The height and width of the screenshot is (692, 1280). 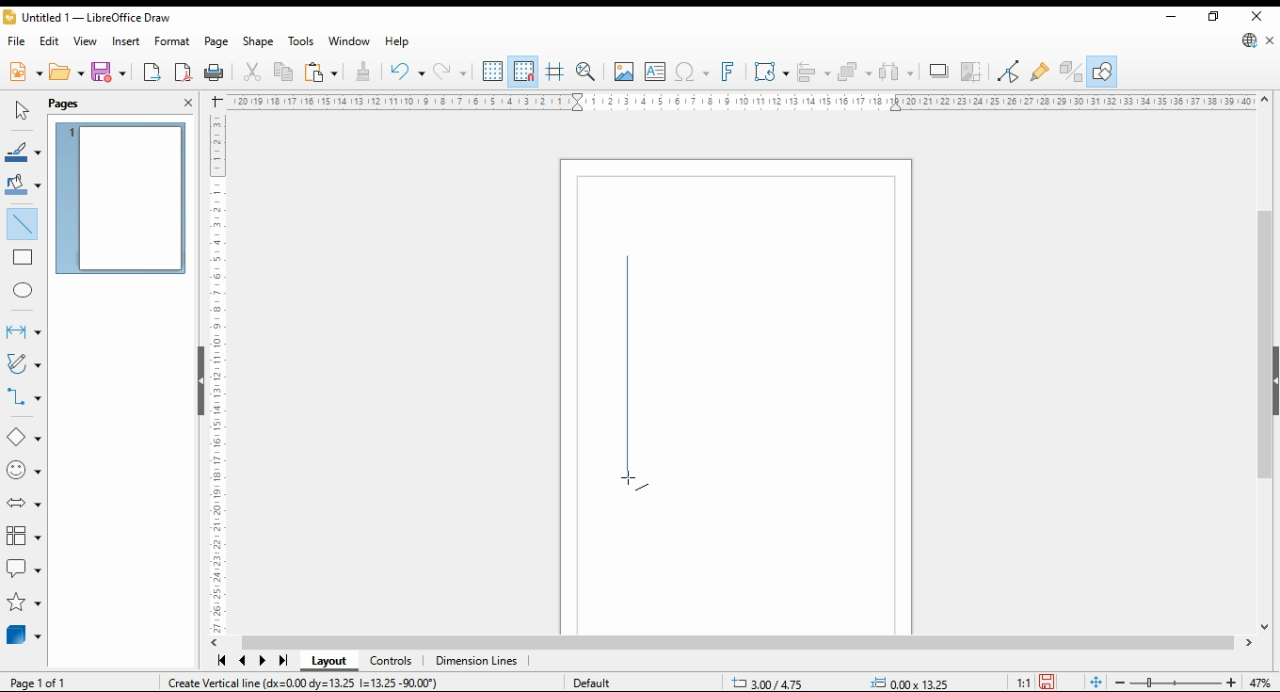 What do you see at coordinates (348, 42) in the screenshot?
I see `window` at bounding box center [348, 42].